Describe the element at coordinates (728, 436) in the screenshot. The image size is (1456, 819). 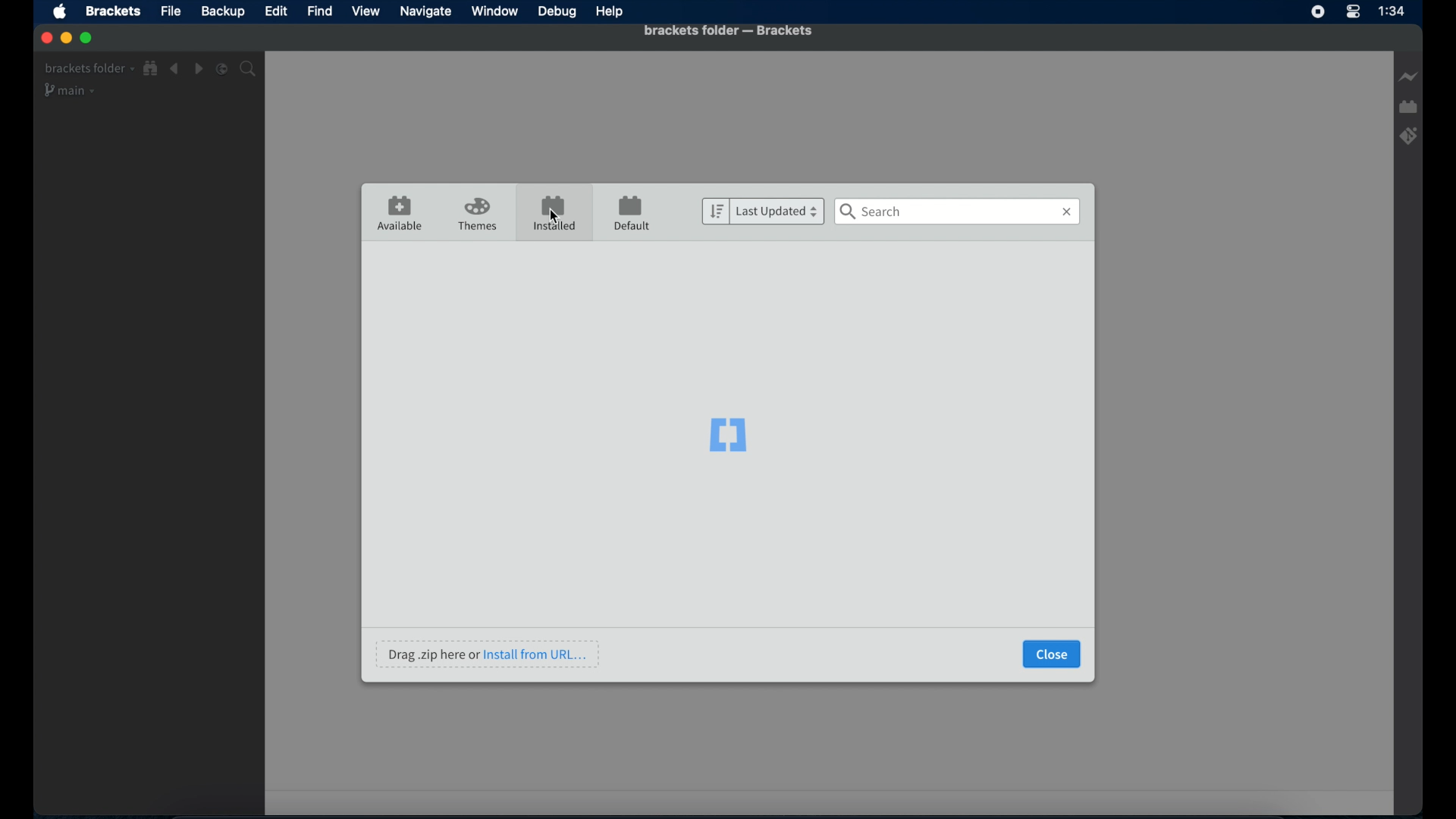
I see `brackets logo` at that location.